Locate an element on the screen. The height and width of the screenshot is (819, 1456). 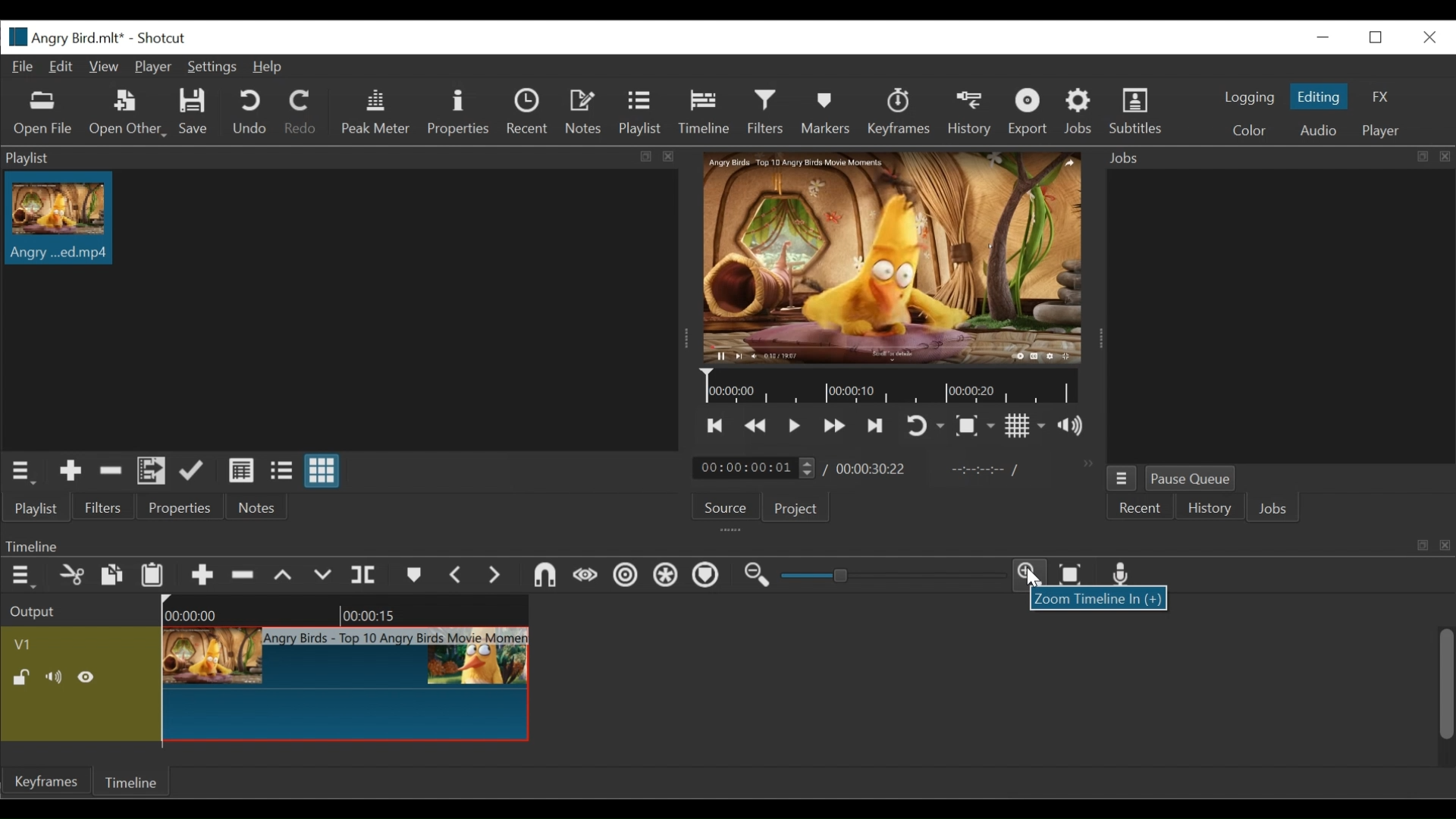
Source is located at coordinates (722, 504).